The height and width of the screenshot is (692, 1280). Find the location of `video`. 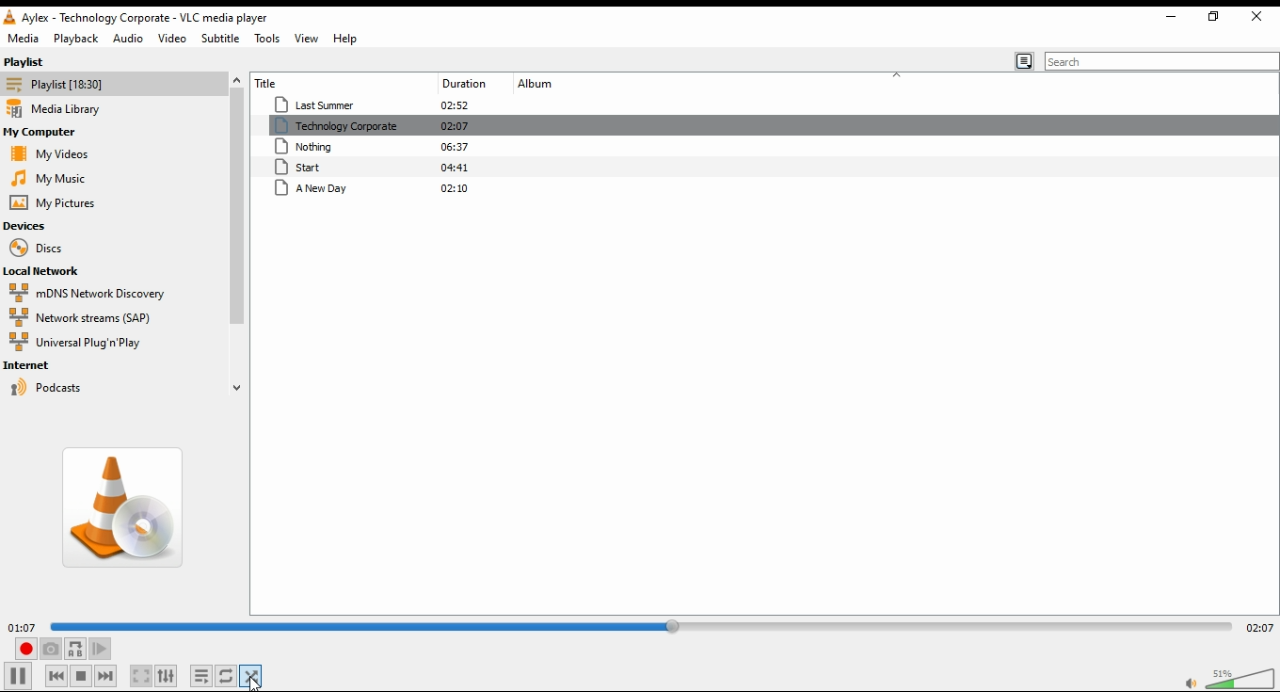

video is located at coordinates (173, 42).